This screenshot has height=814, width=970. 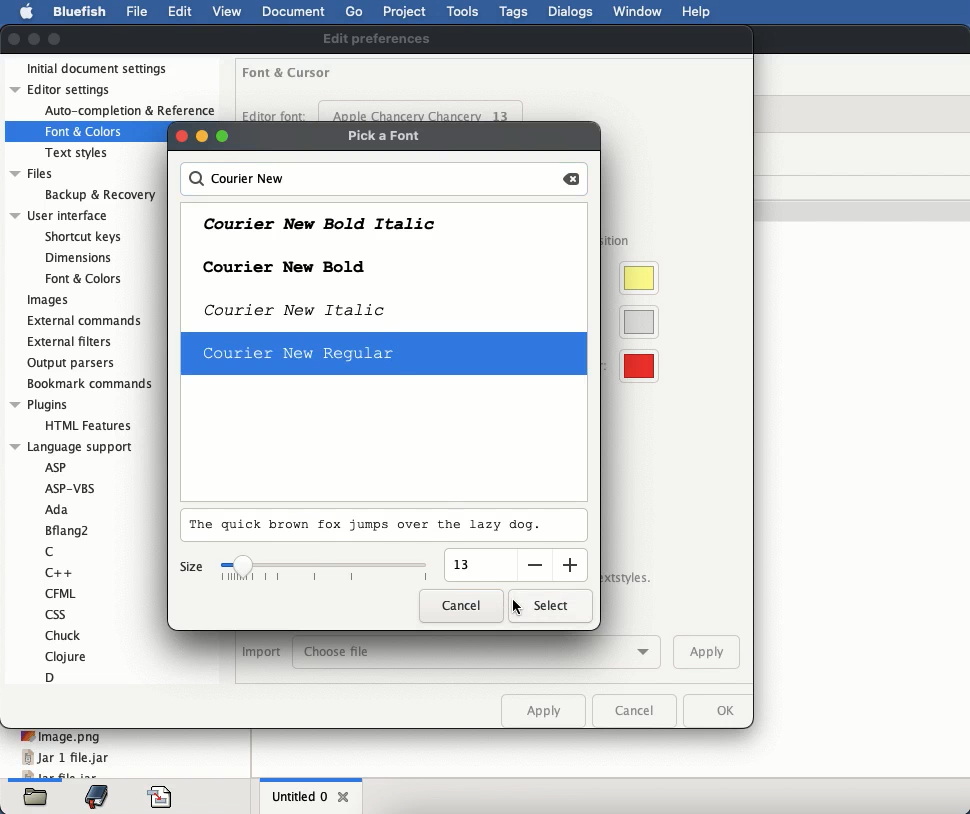 I want to click on tools, so click(x=464, y=12).